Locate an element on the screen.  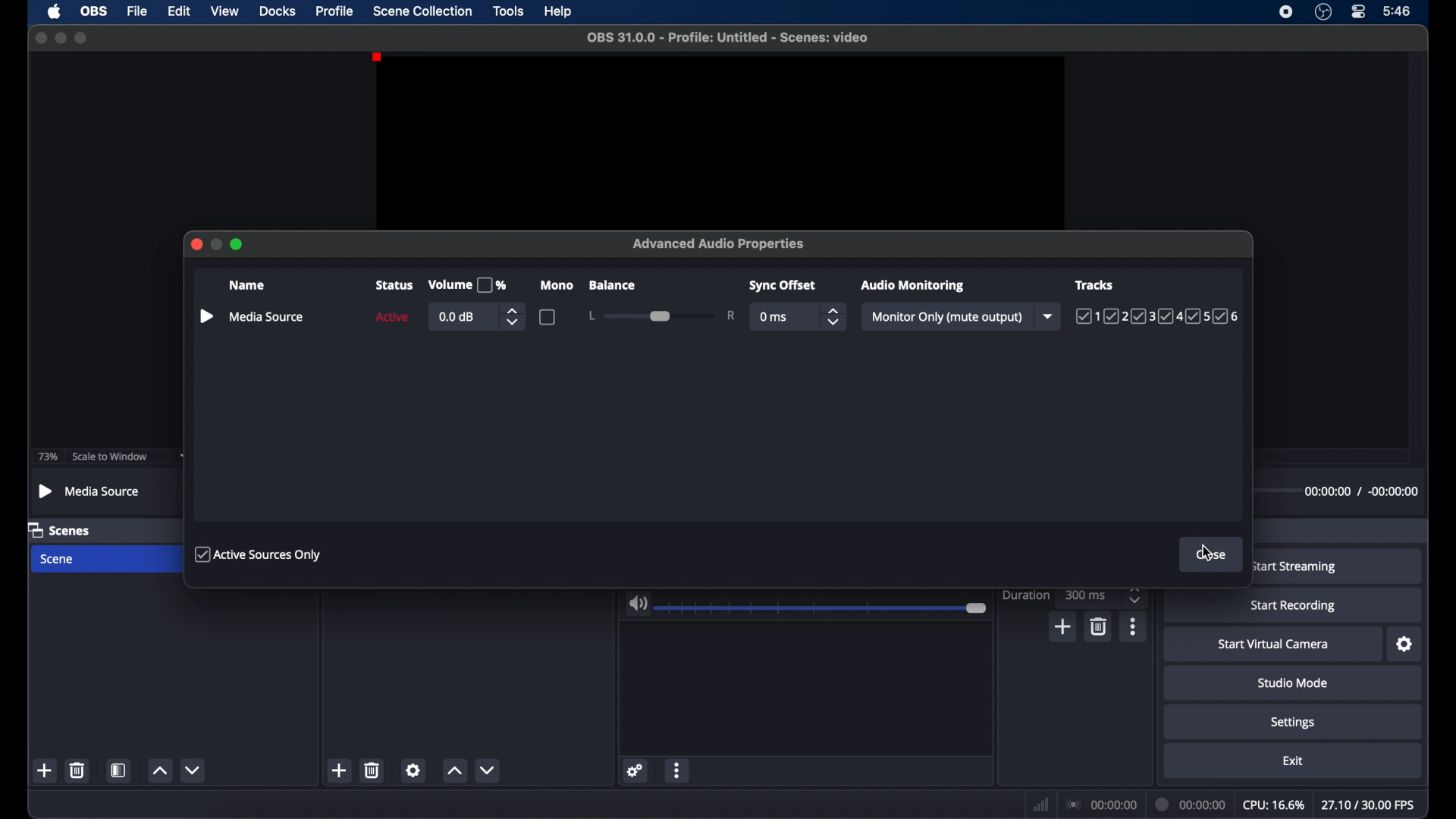
obs is located at coordinates (93, 11).